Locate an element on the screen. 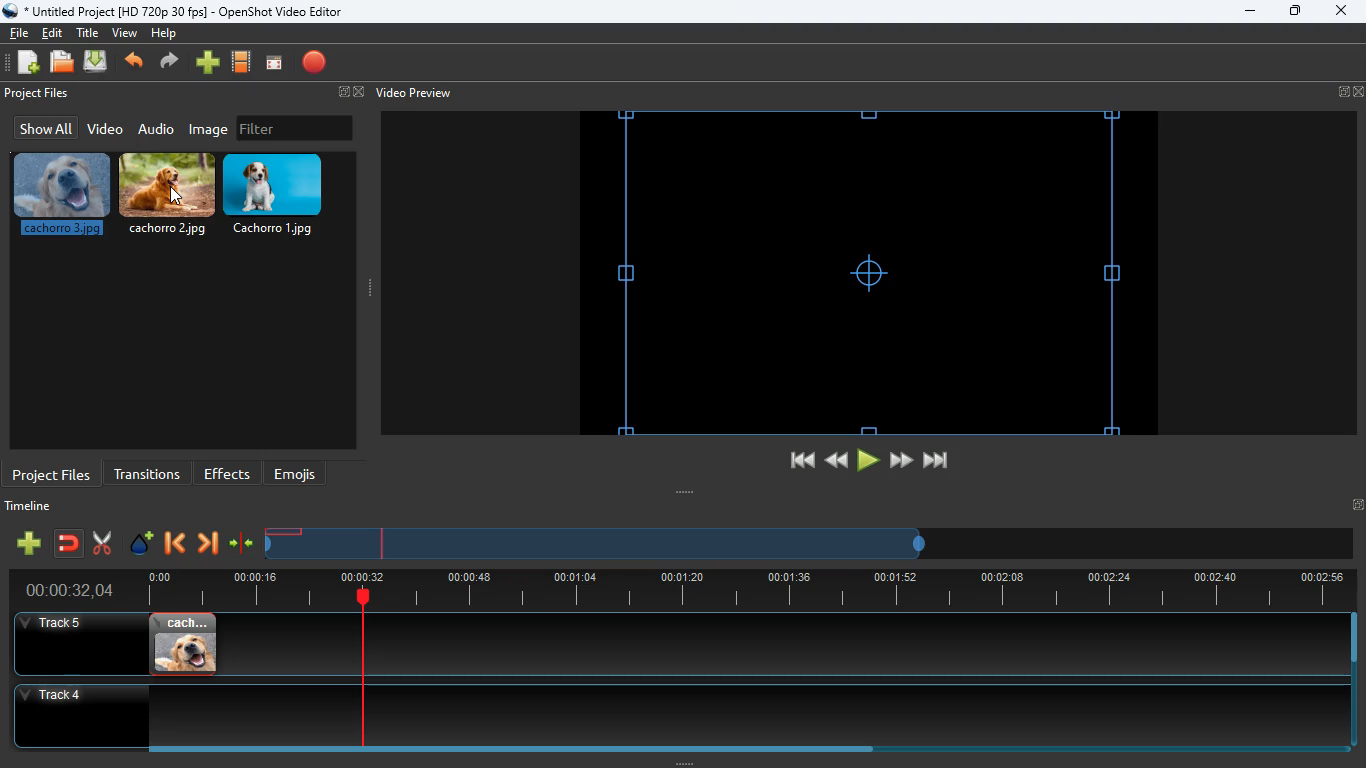  beggining is located at coordinates (793, 461).